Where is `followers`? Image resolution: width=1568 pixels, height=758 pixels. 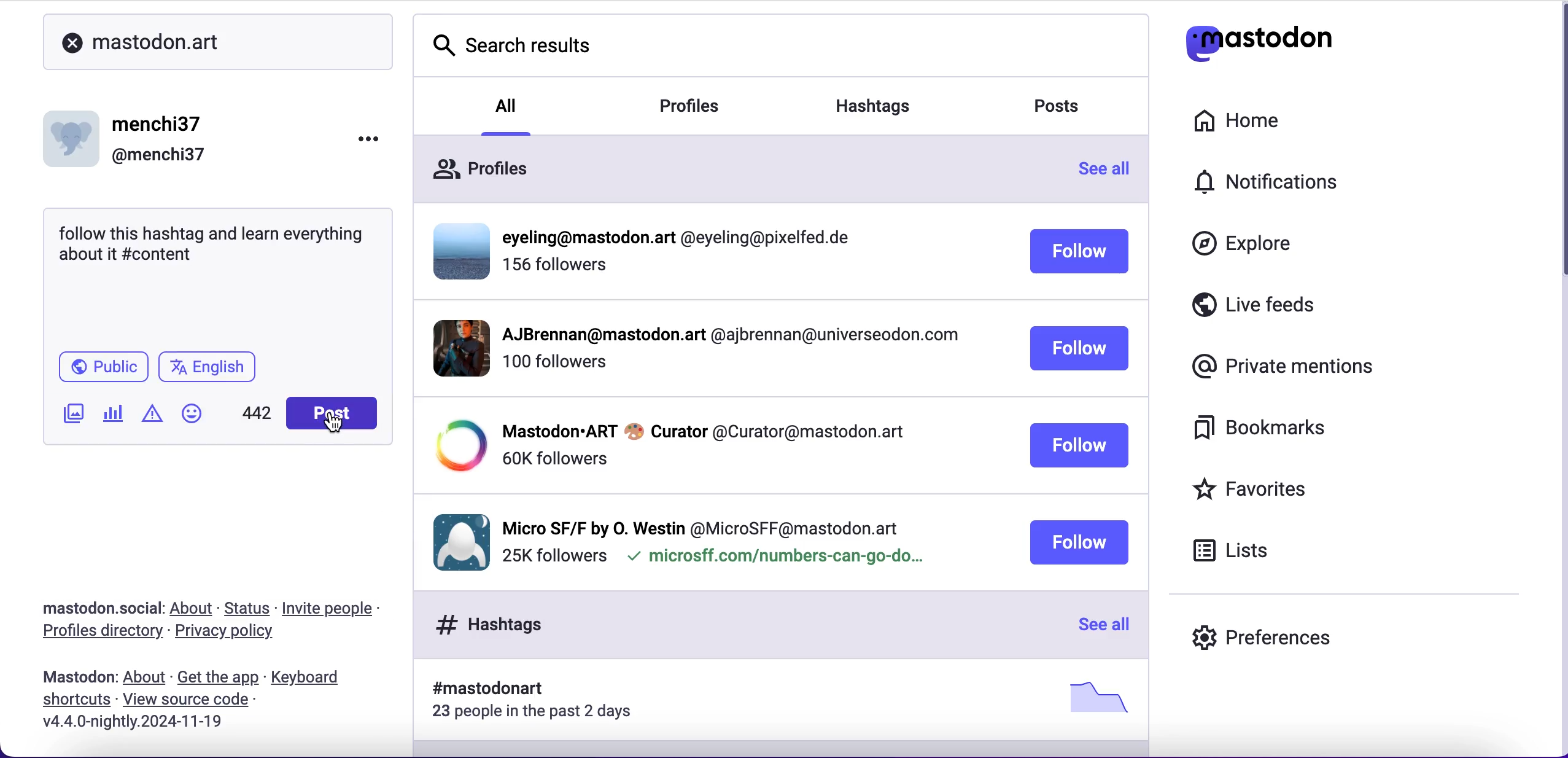
followers is located at coordinates (554, 368).